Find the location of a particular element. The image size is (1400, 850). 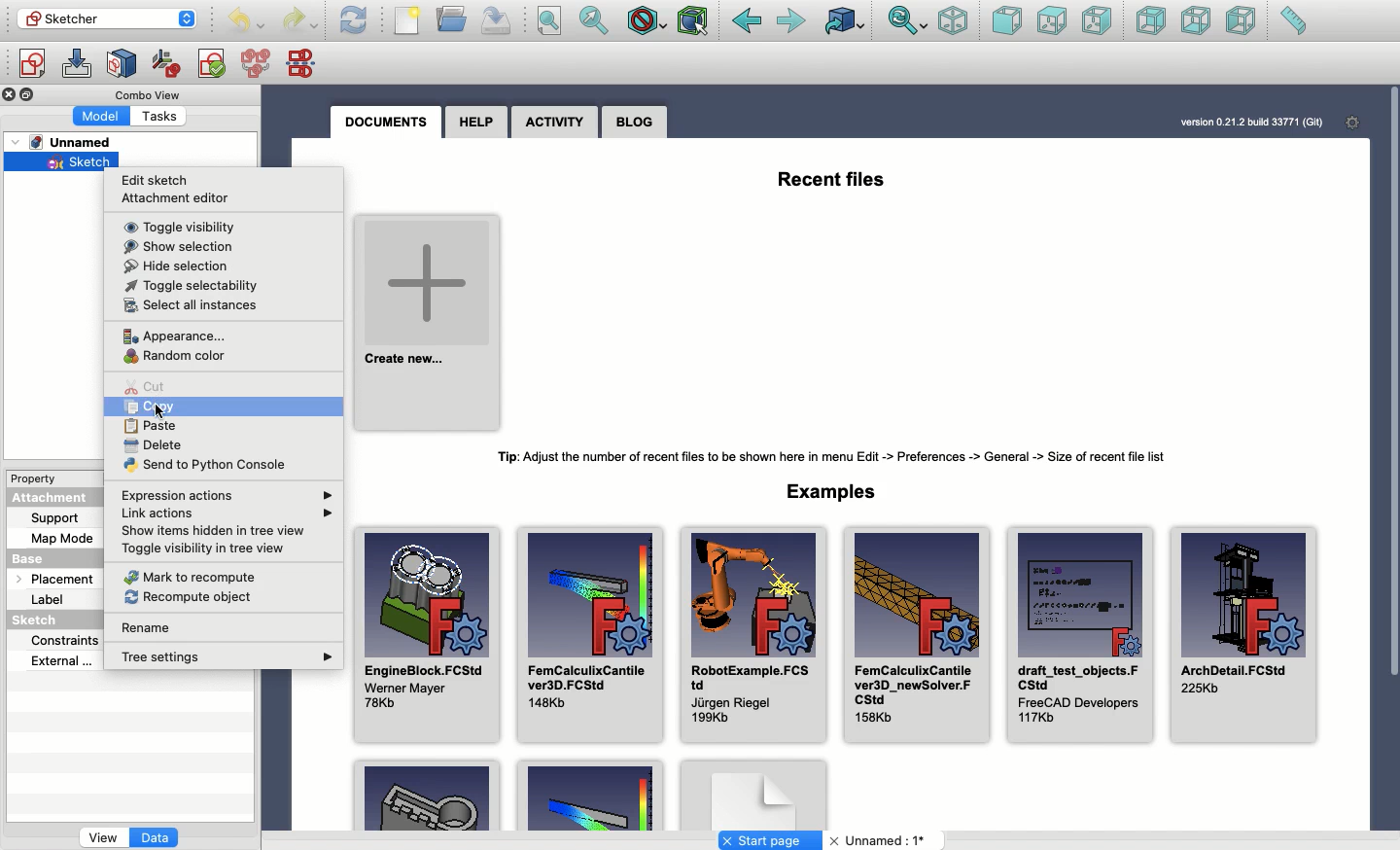

Tasks is located at coordinates (164, 115).